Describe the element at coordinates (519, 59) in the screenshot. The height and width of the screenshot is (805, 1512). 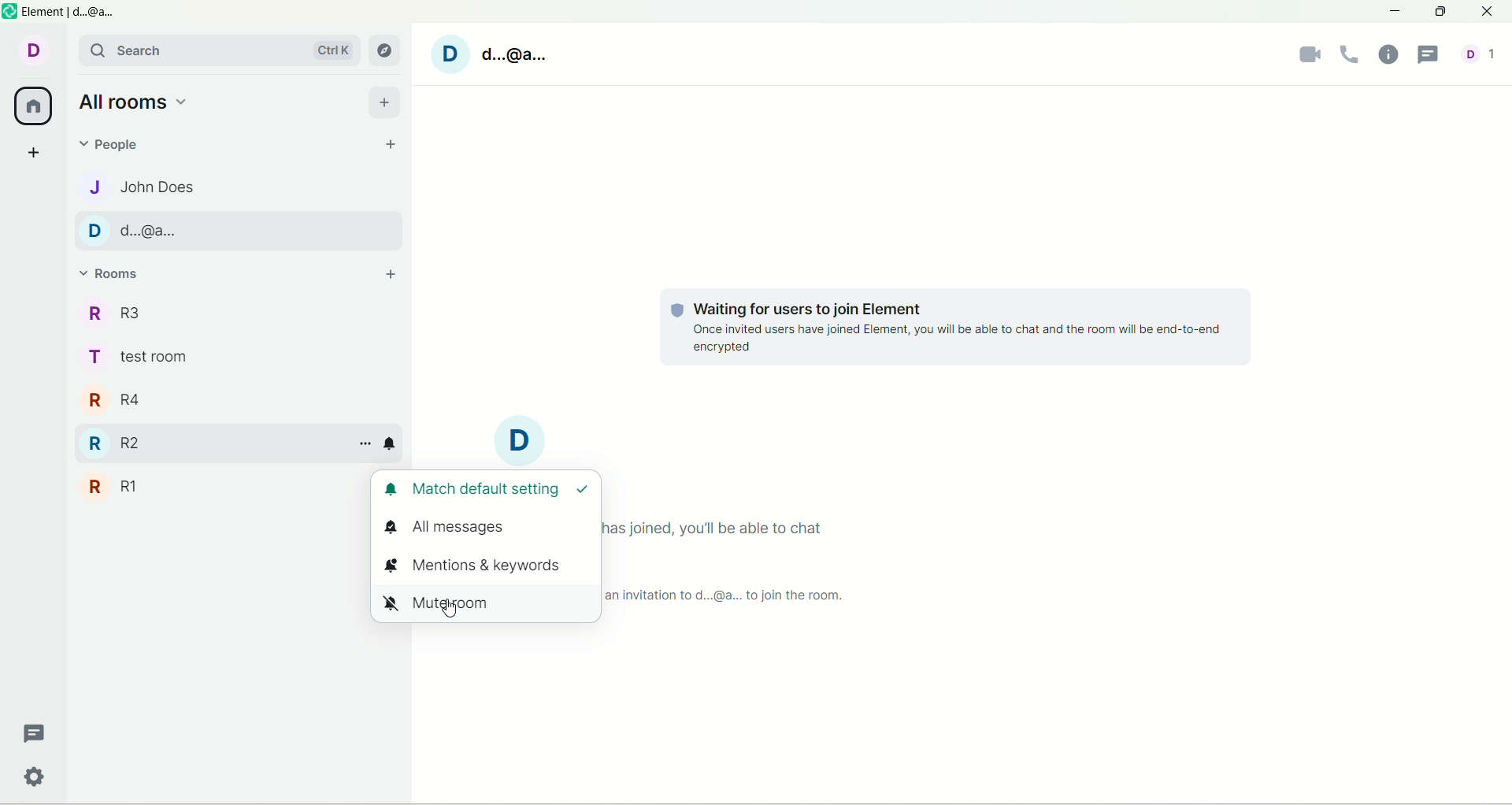
I see `account` at that location.